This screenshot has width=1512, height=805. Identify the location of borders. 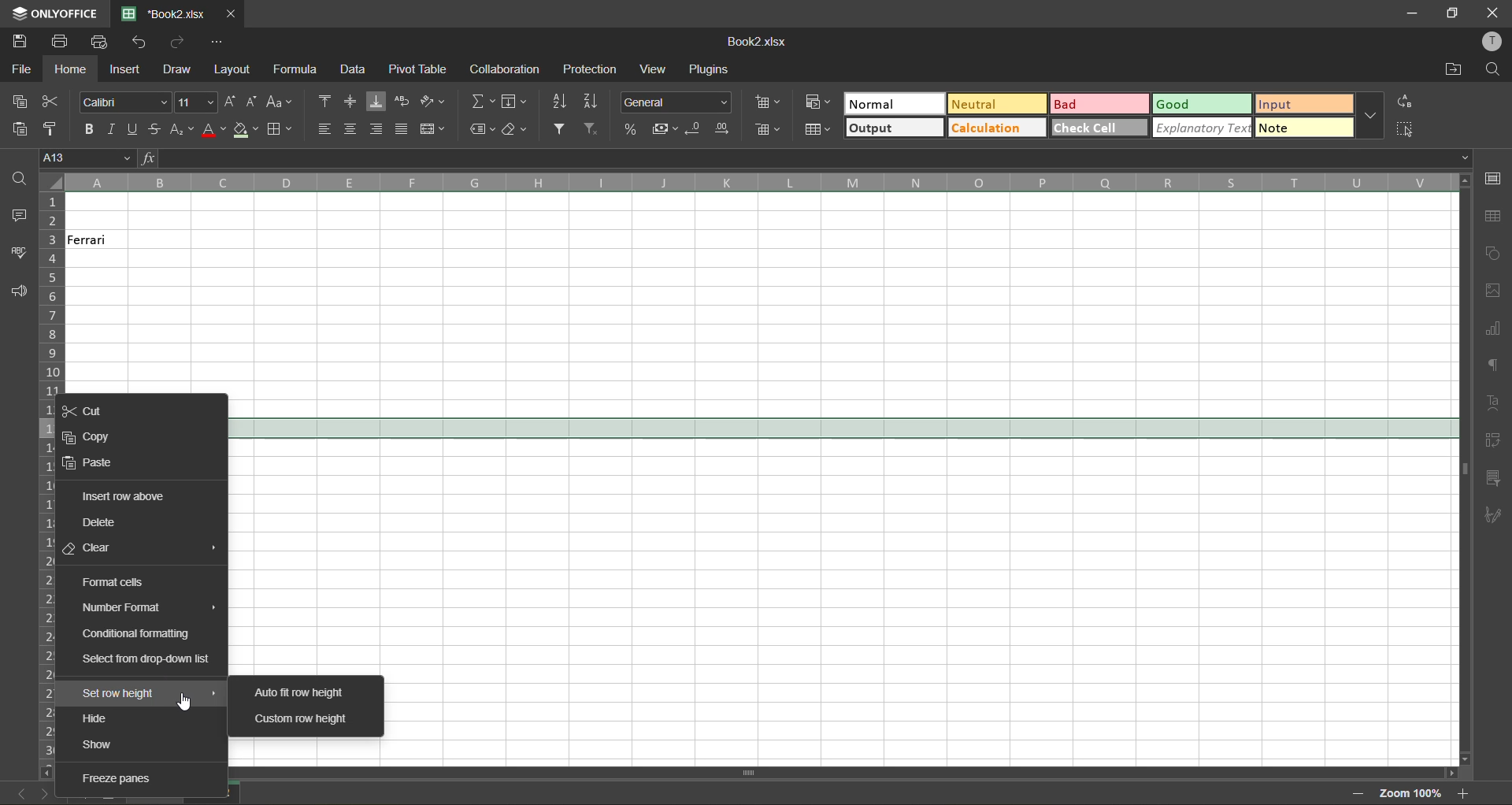
(278, 130).